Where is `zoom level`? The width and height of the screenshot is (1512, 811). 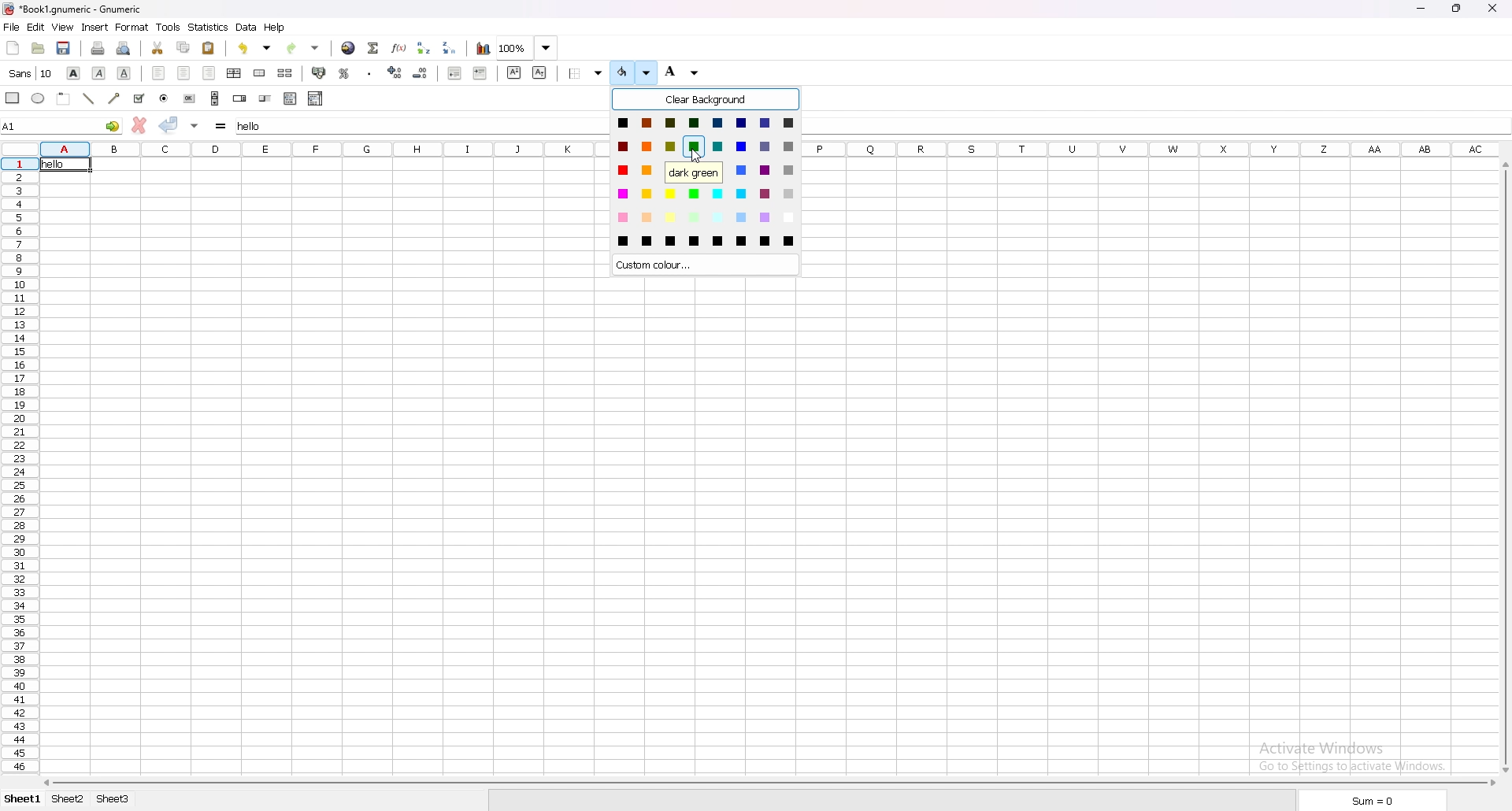
zoom level is located at coordinates (529, 47).